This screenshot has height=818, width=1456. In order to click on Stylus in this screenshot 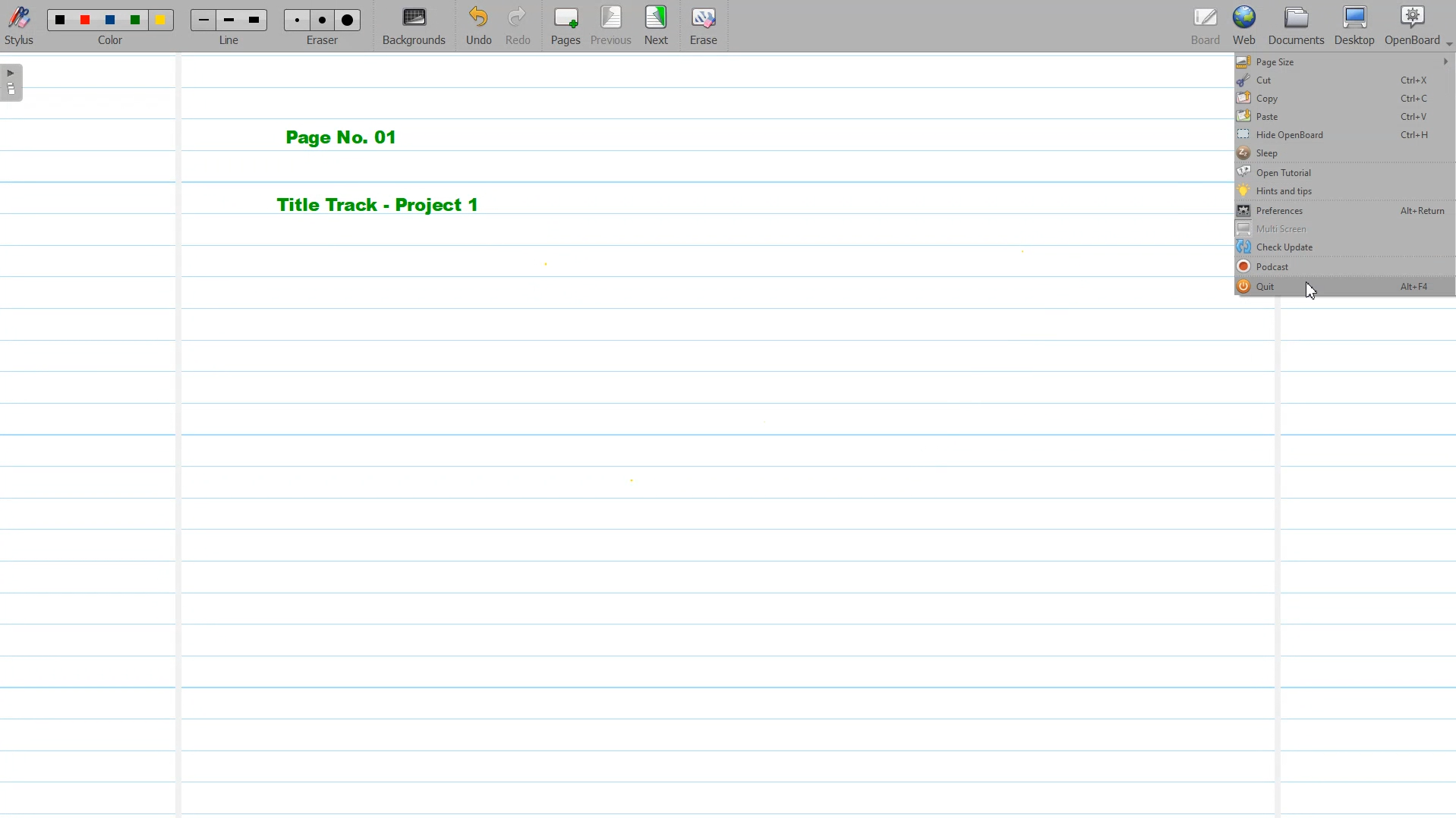, I will do `click(21, 27)`.